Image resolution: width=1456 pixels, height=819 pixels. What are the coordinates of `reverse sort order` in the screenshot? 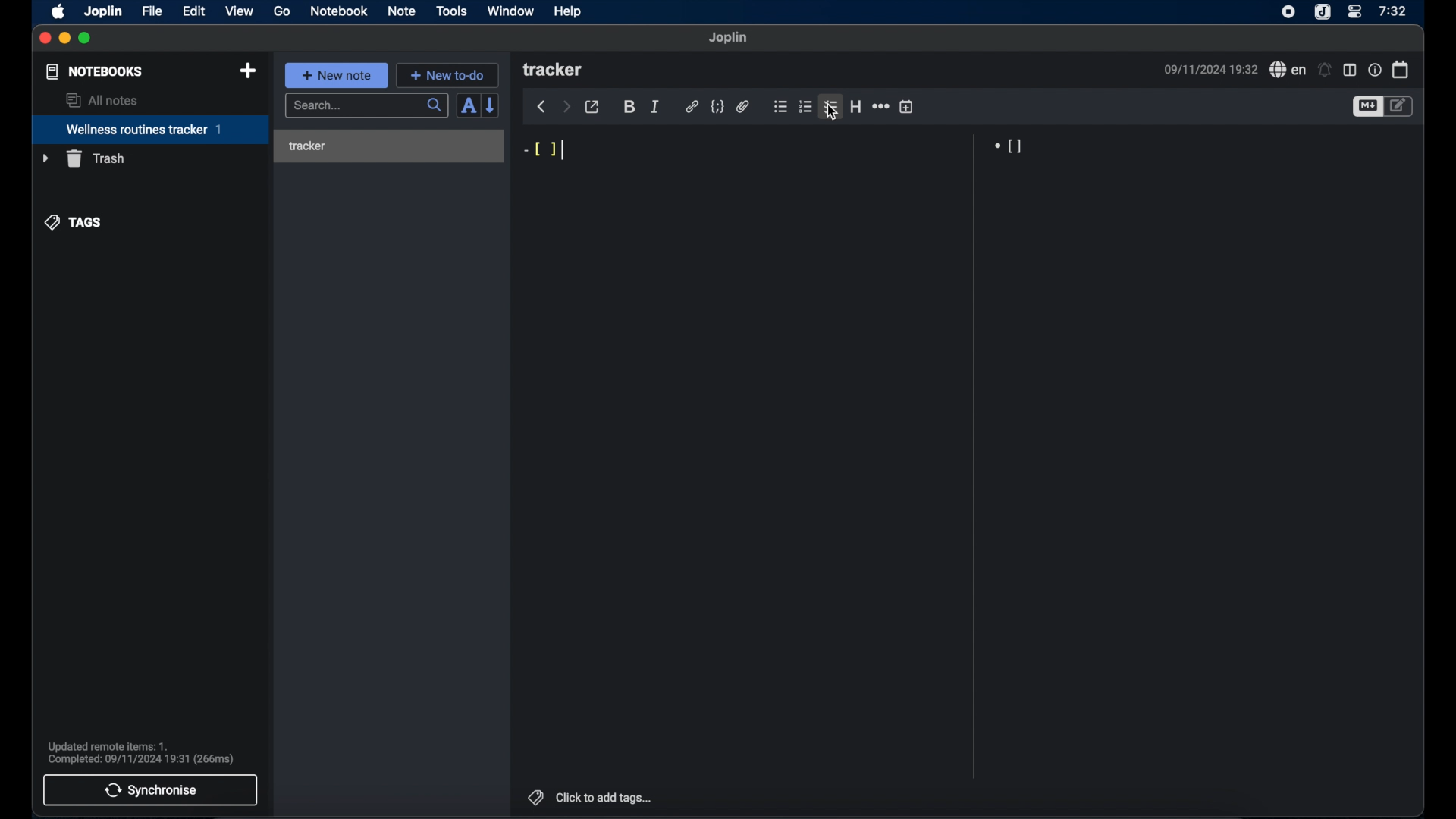 It's located at (491, 105).